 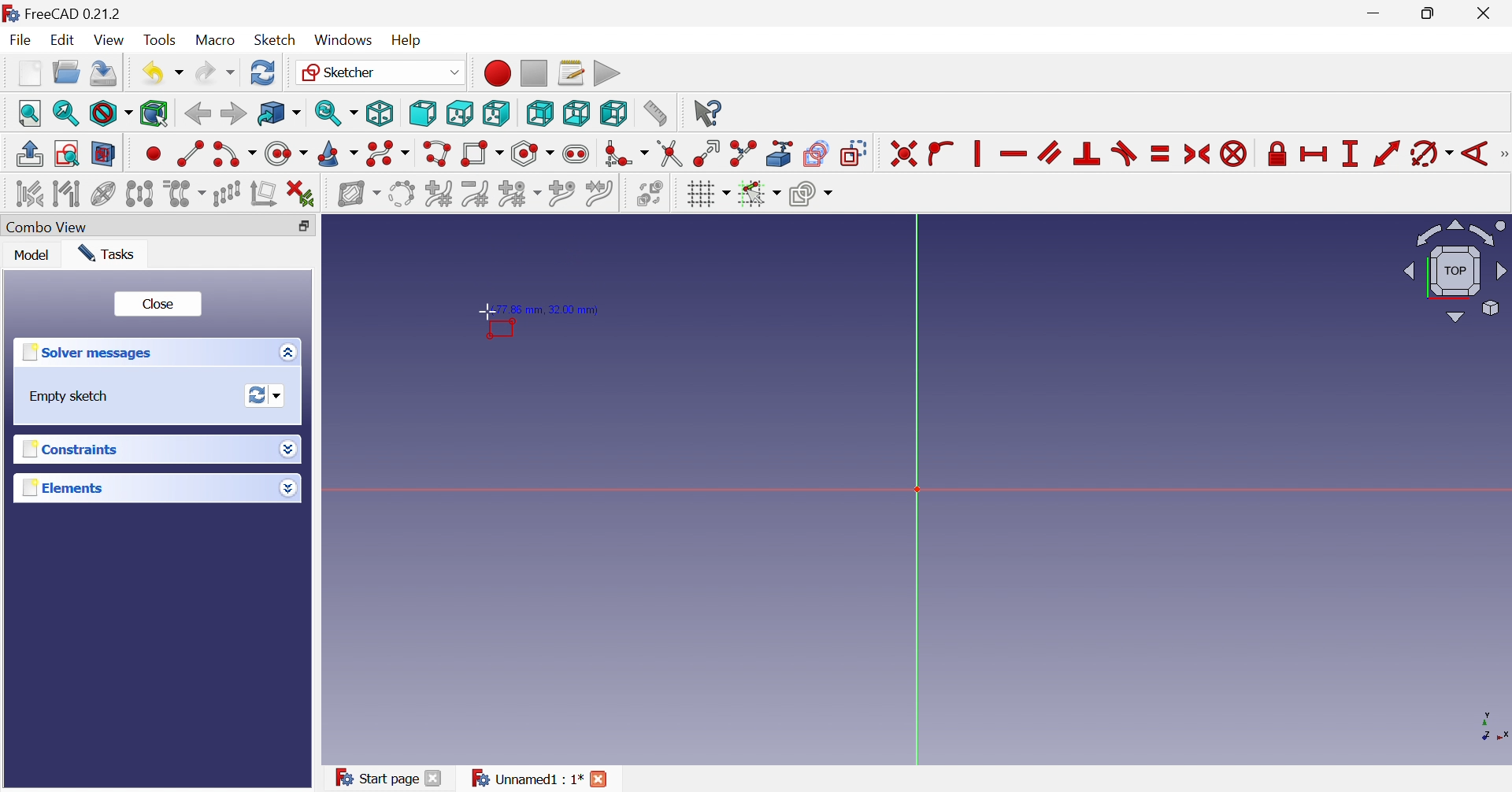 I want to click on Constrain vertically, so click(x=975, y=154).